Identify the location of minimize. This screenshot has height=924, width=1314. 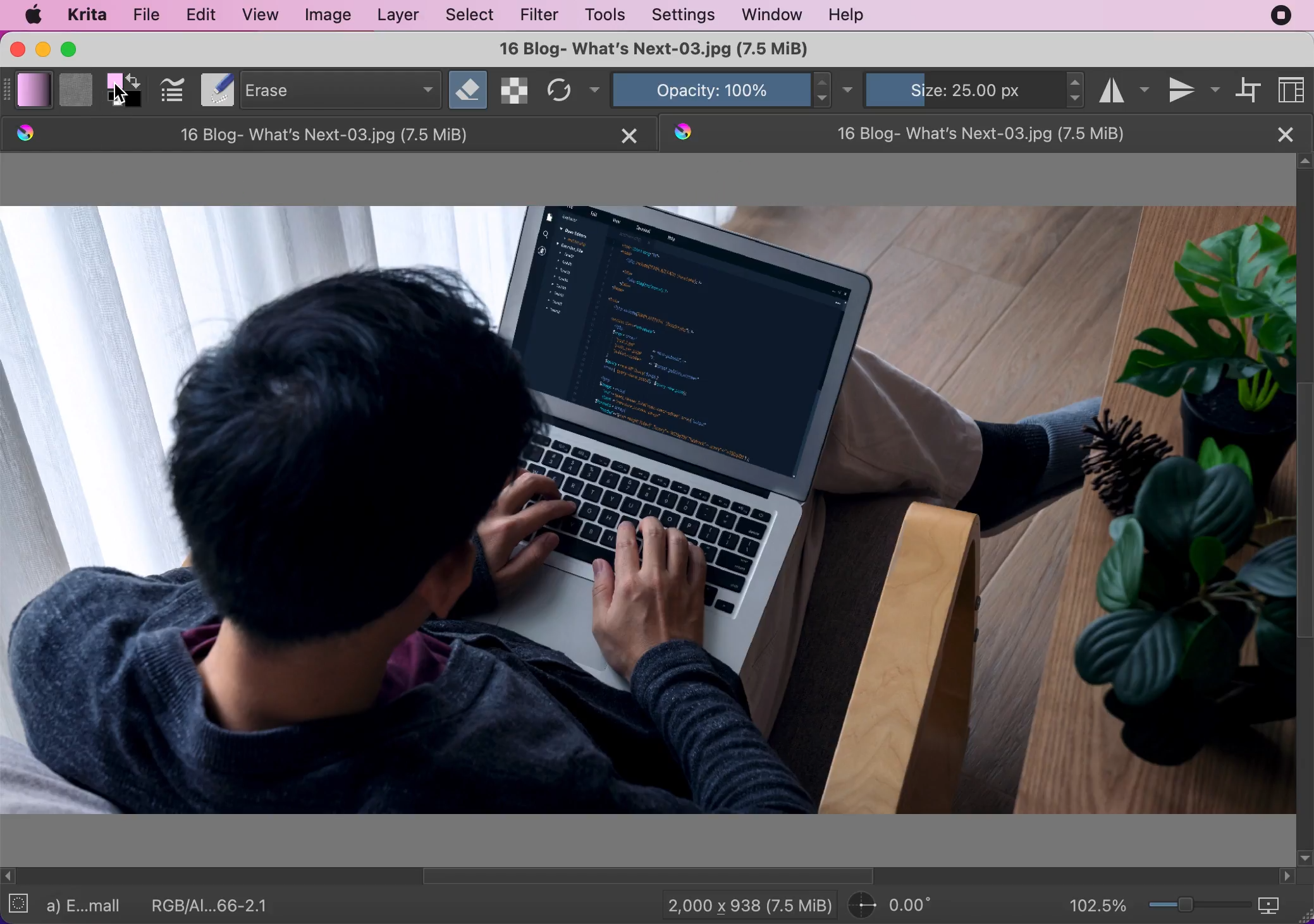
(43, 51).